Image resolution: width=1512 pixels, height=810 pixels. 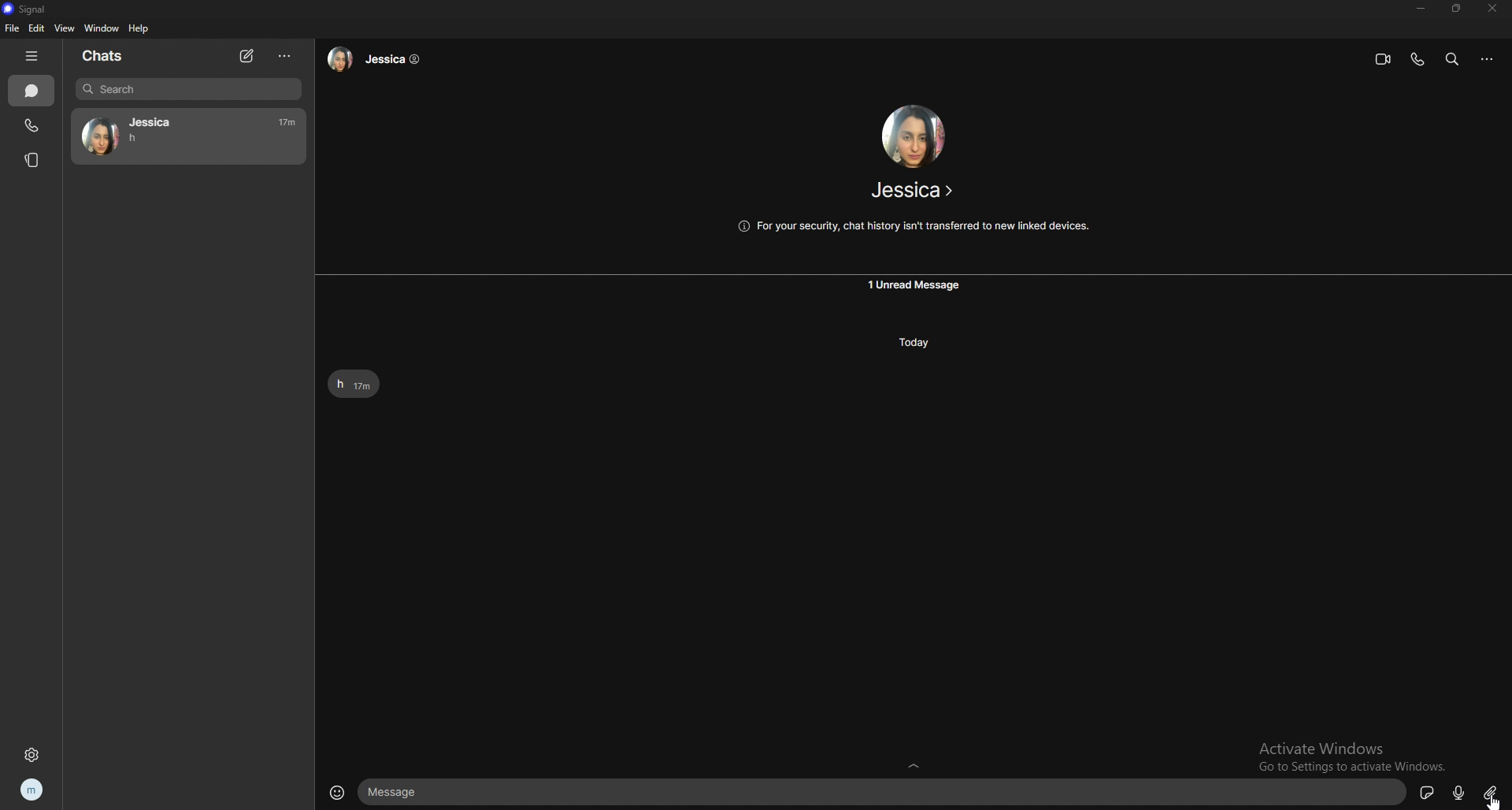 I want to click on Jessica, so click(x=149, y=120).